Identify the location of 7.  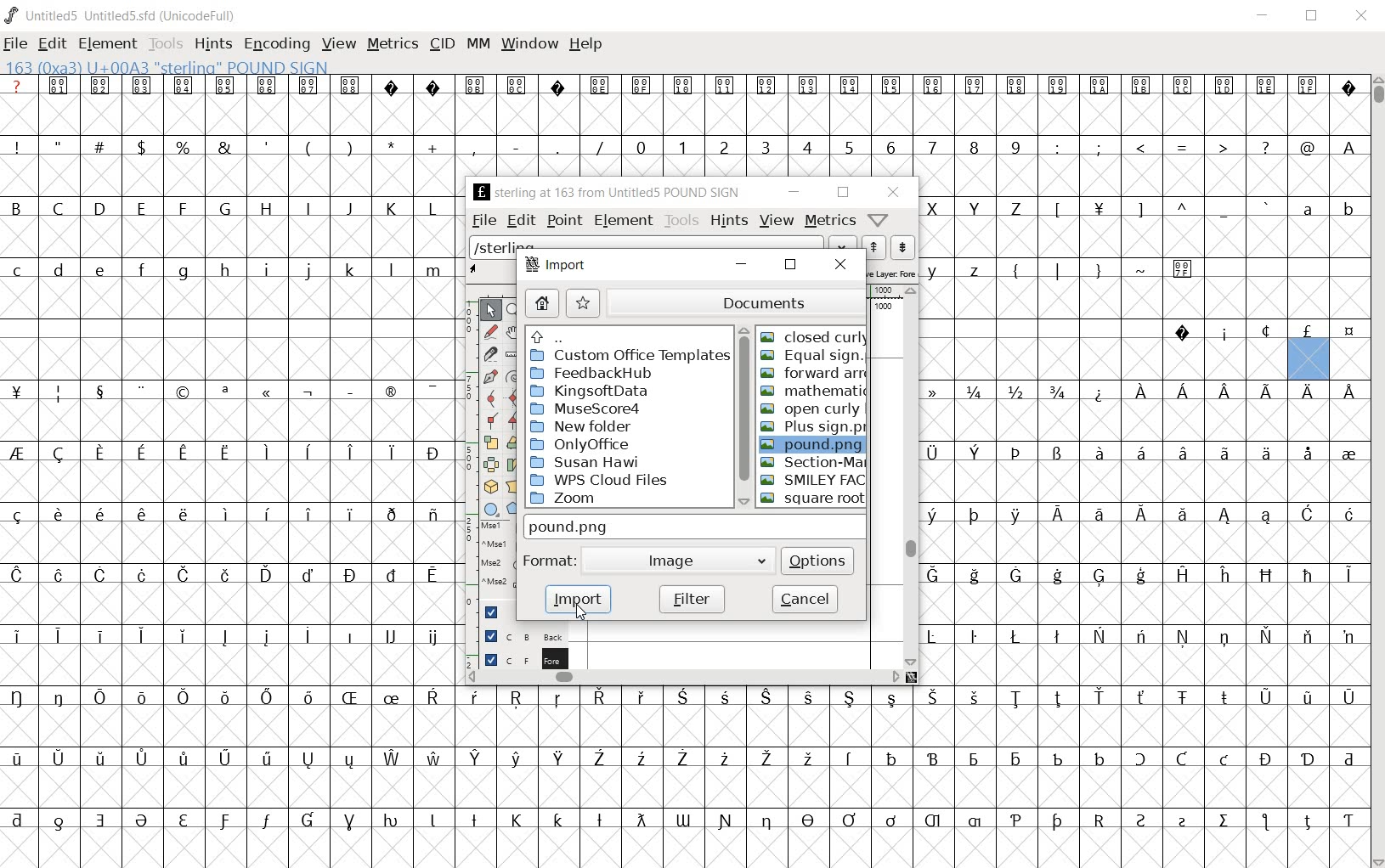
(932, 148).